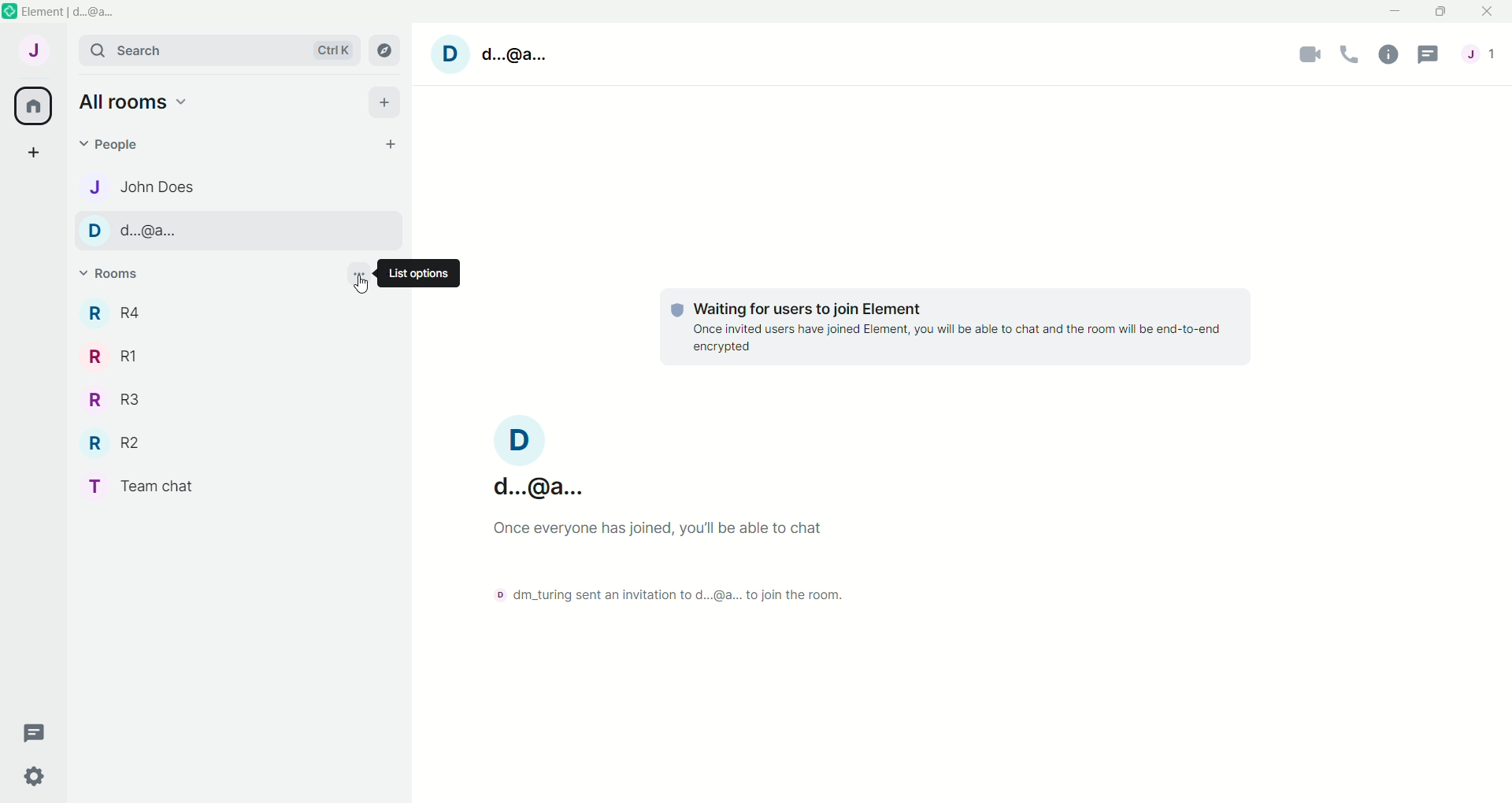 The height and width of the screenshot is (803, 1512). What do you see at coordinates (362, 284) in the screenshot?
I see `Cursor` at bounding box center [362, 284].